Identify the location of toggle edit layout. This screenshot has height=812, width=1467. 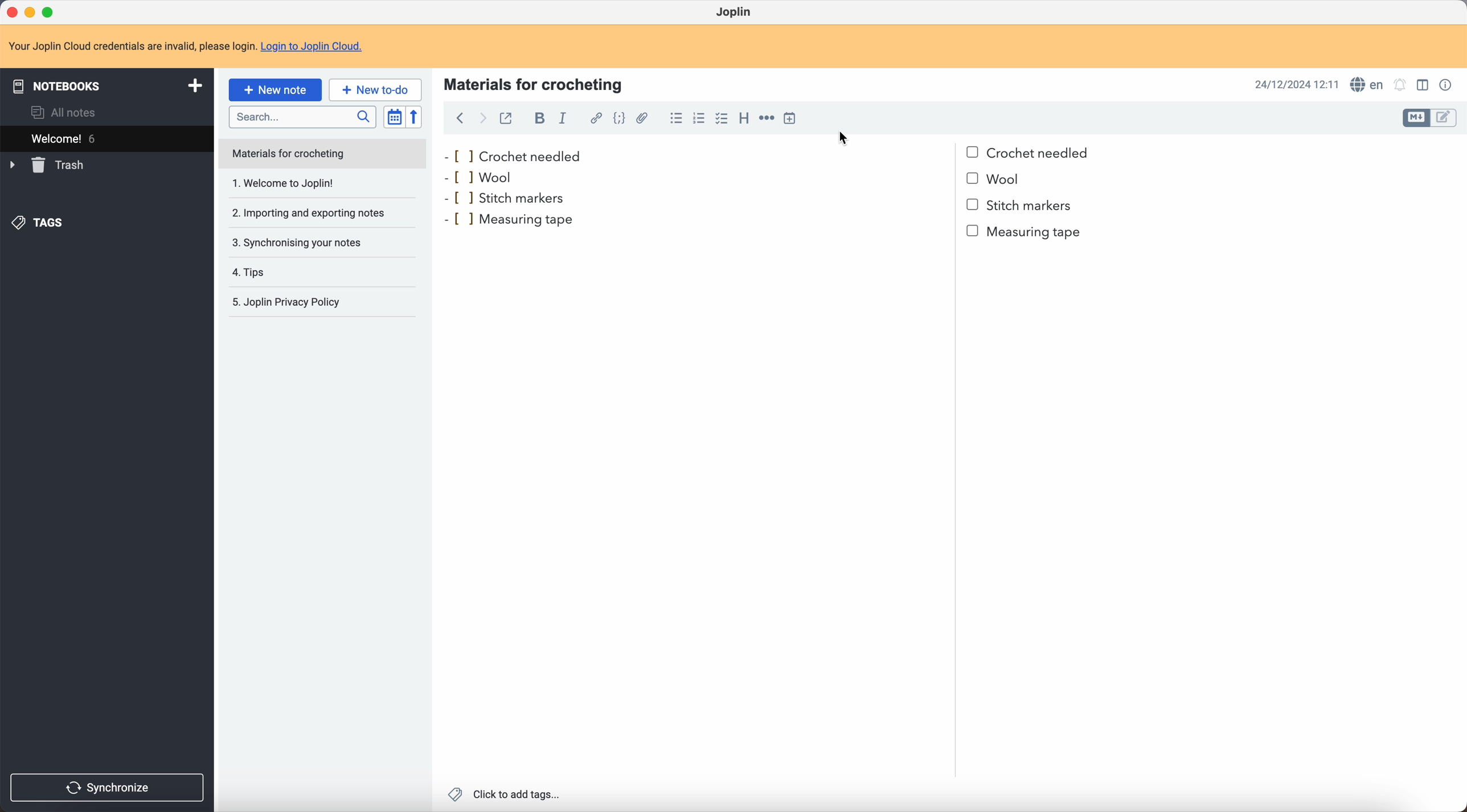
(1416, 118).